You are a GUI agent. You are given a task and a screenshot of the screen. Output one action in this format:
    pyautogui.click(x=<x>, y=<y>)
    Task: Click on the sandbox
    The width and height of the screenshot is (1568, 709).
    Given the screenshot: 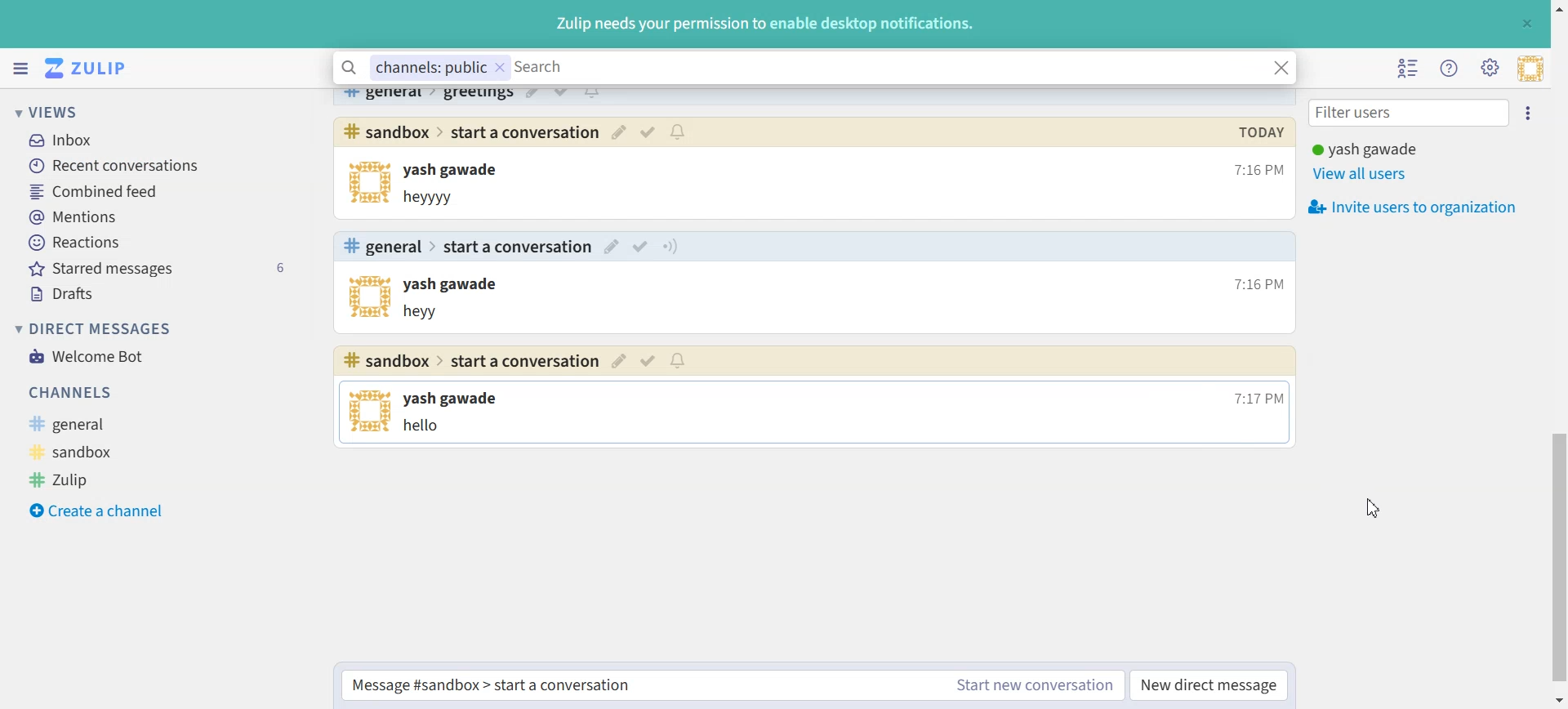 What is the action you would take?
    pyautogui.click(x=385, y=131)
    